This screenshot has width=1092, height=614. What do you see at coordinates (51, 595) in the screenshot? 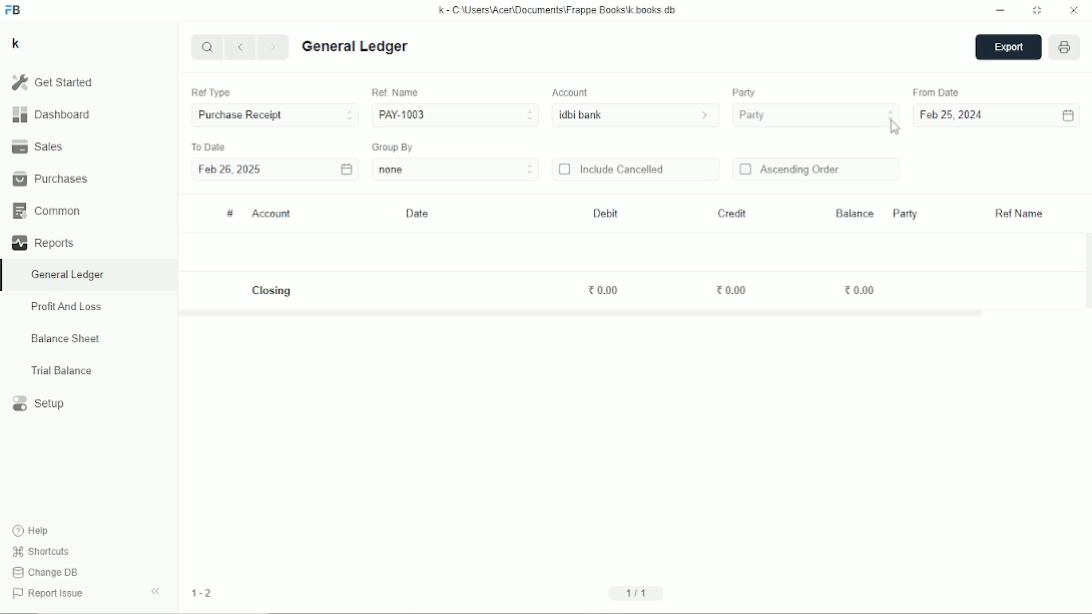
I see `Report issue` at bounding box center [51, 595].